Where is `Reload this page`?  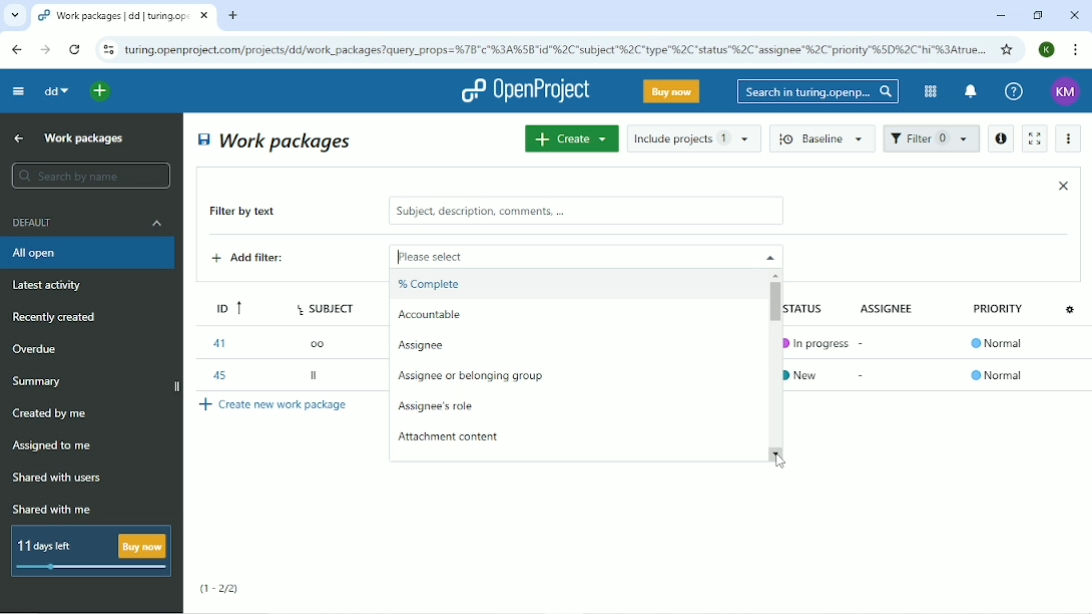
Reload this page is located at coordinates (74, 49).